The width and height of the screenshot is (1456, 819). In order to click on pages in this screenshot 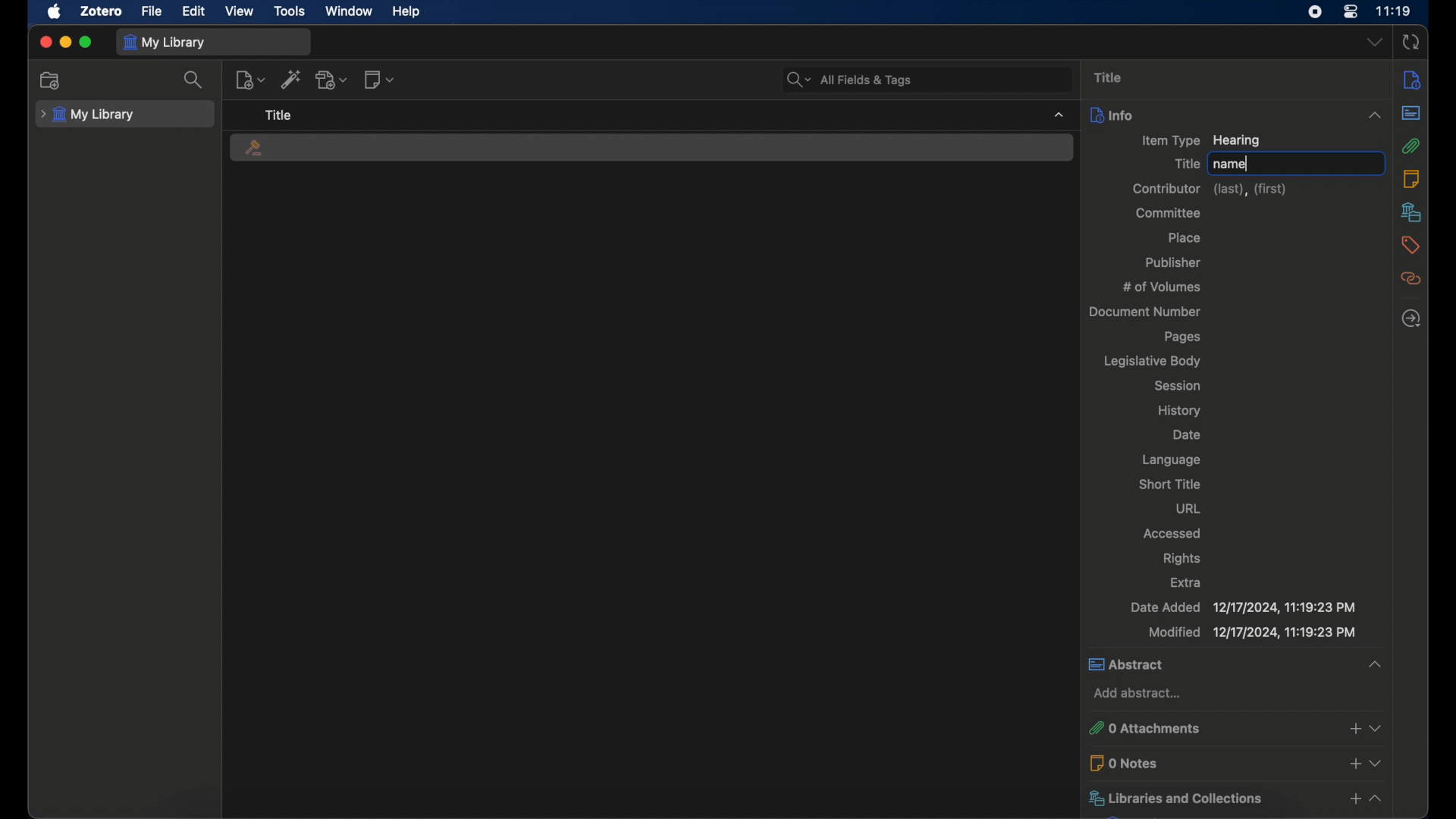, I will do `click(1184, 337)`.